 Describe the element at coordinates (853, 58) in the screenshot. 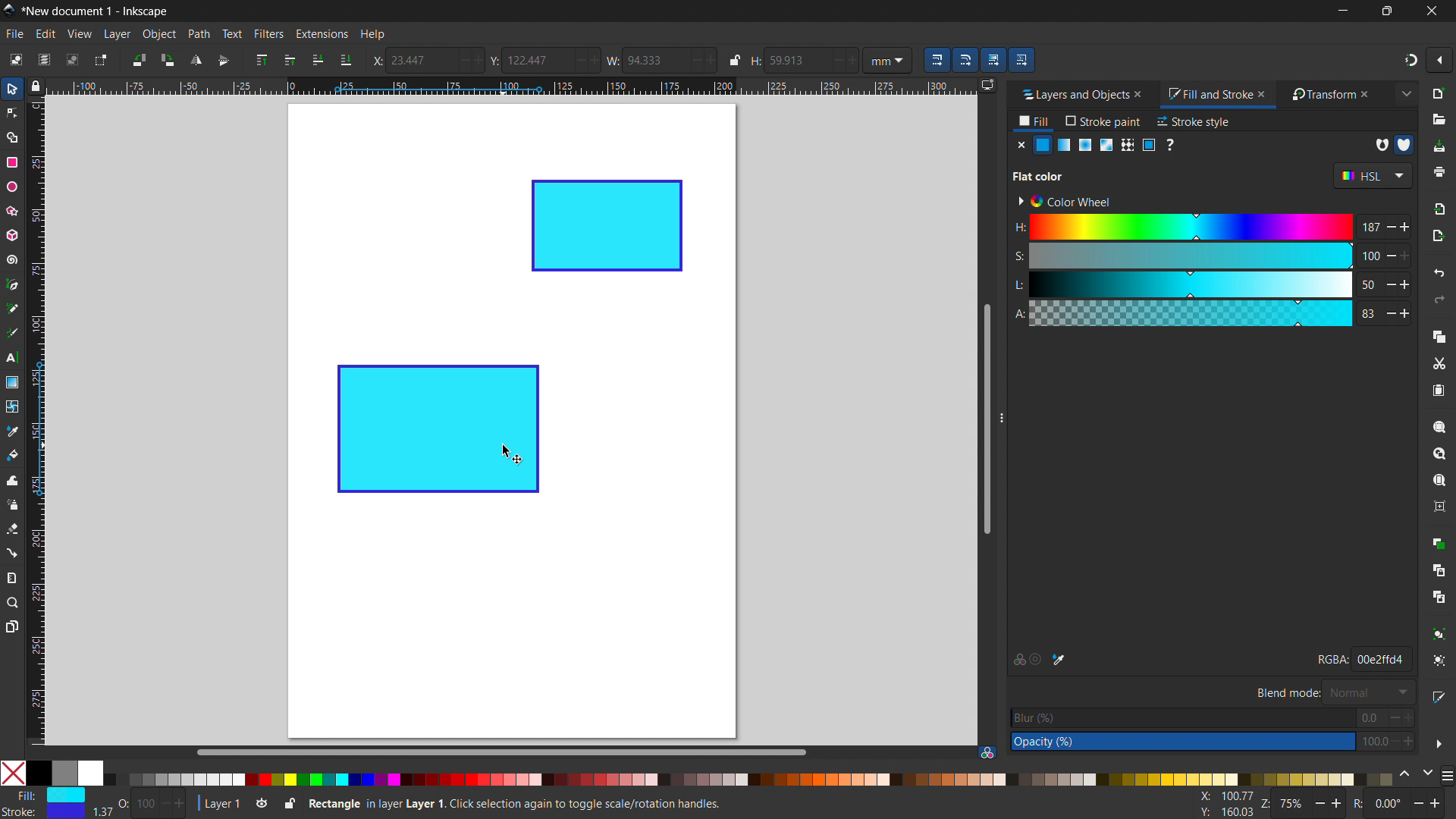

I see `Add/ increase` at that location.